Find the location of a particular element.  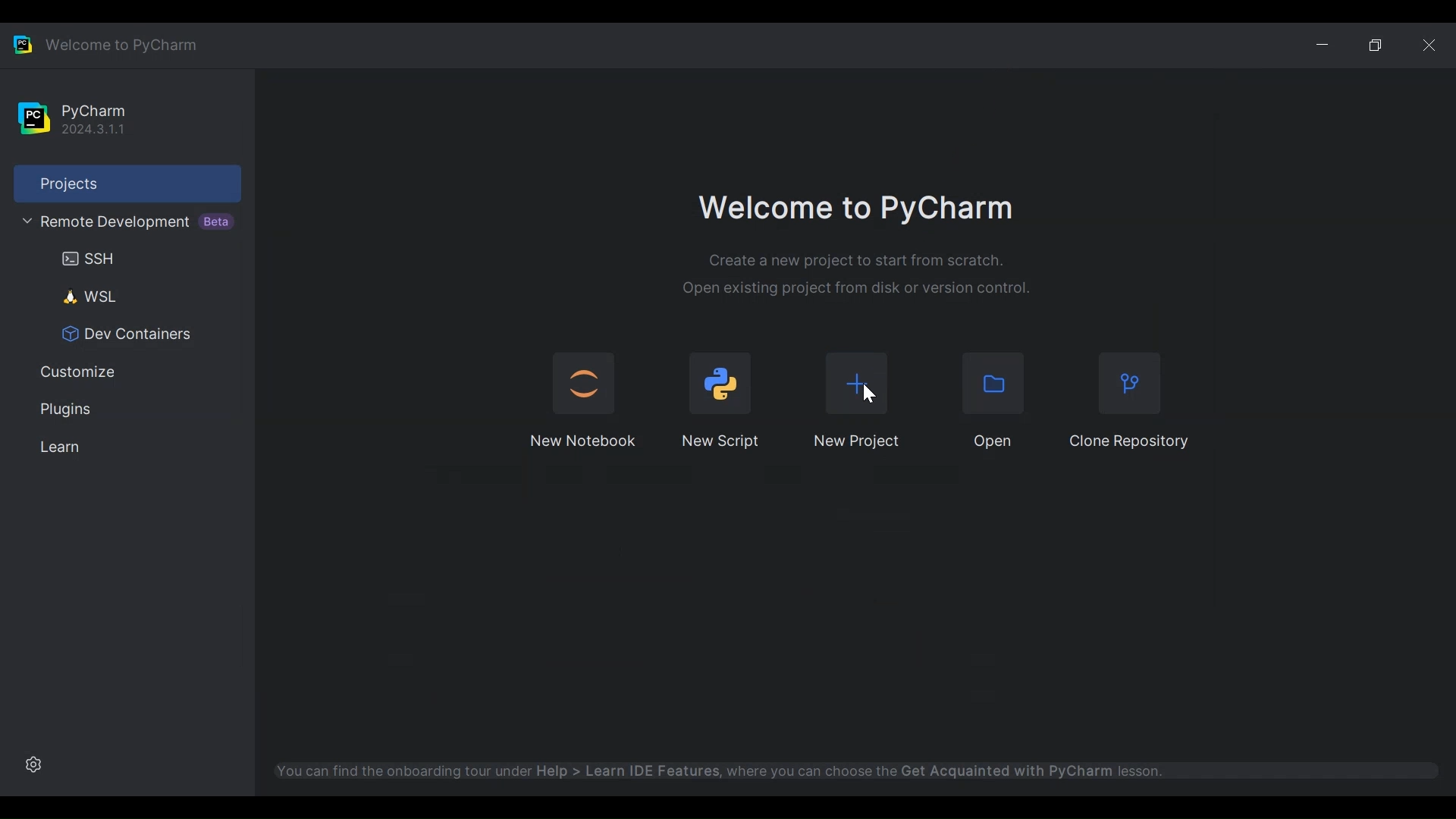

PyCharm Desktop Icon is located at coordinates (33, 119).